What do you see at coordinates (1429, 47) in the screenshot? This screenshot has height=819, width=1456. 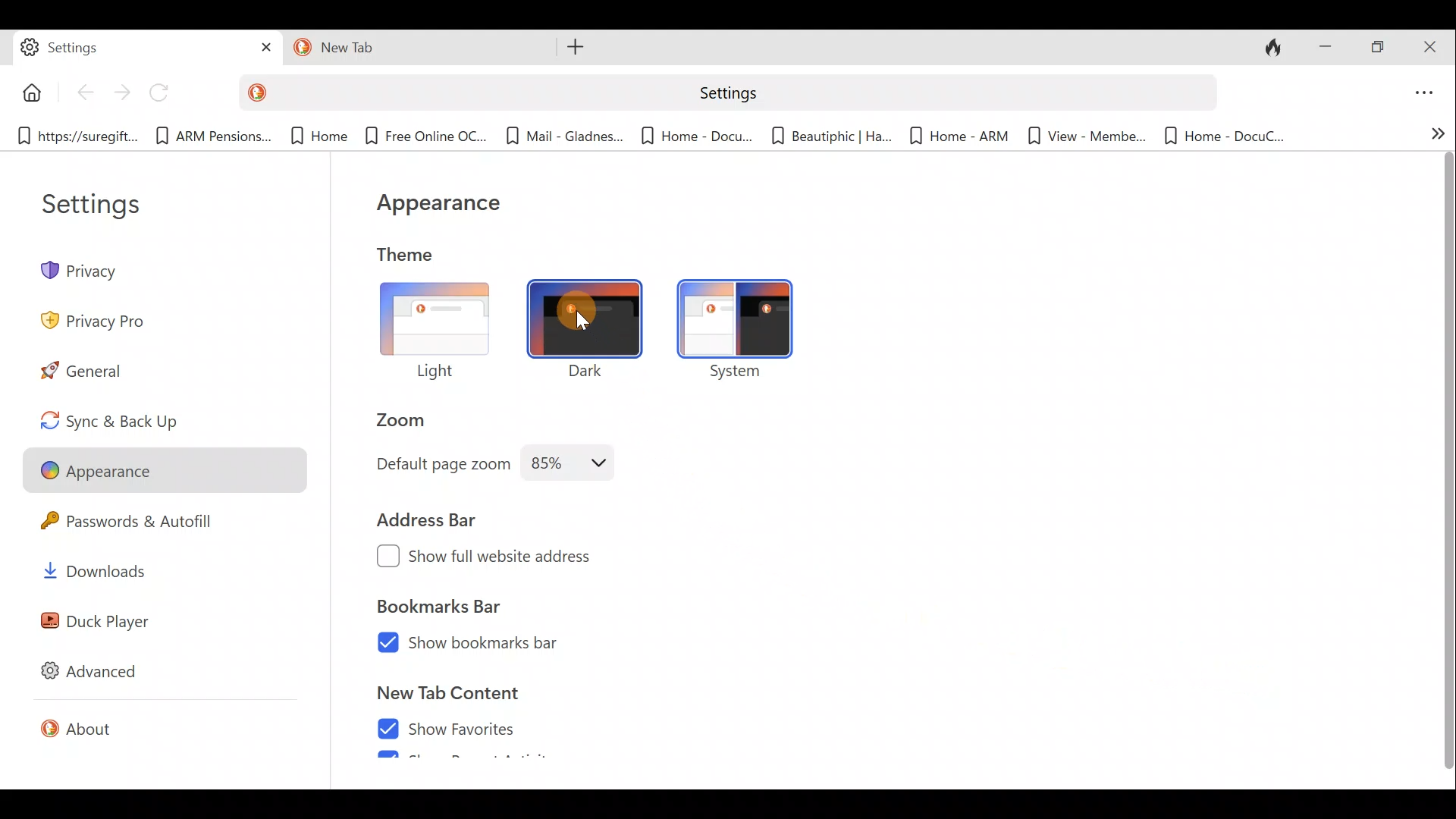 I see `Close` at bounding box center [1429, 47].